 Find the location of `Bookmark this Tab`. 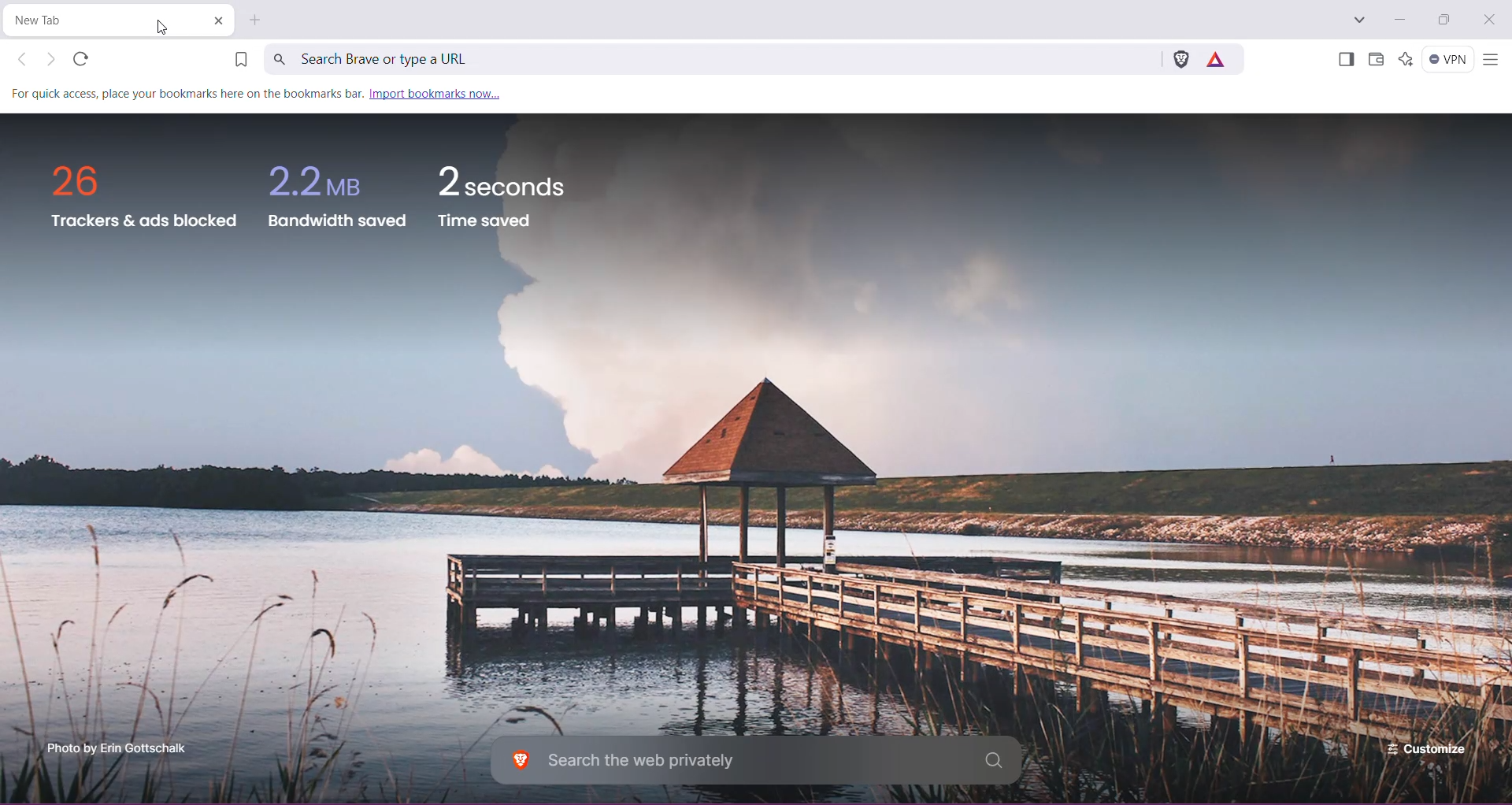

Bookmark this Tab is located at coordinates (243, 61).